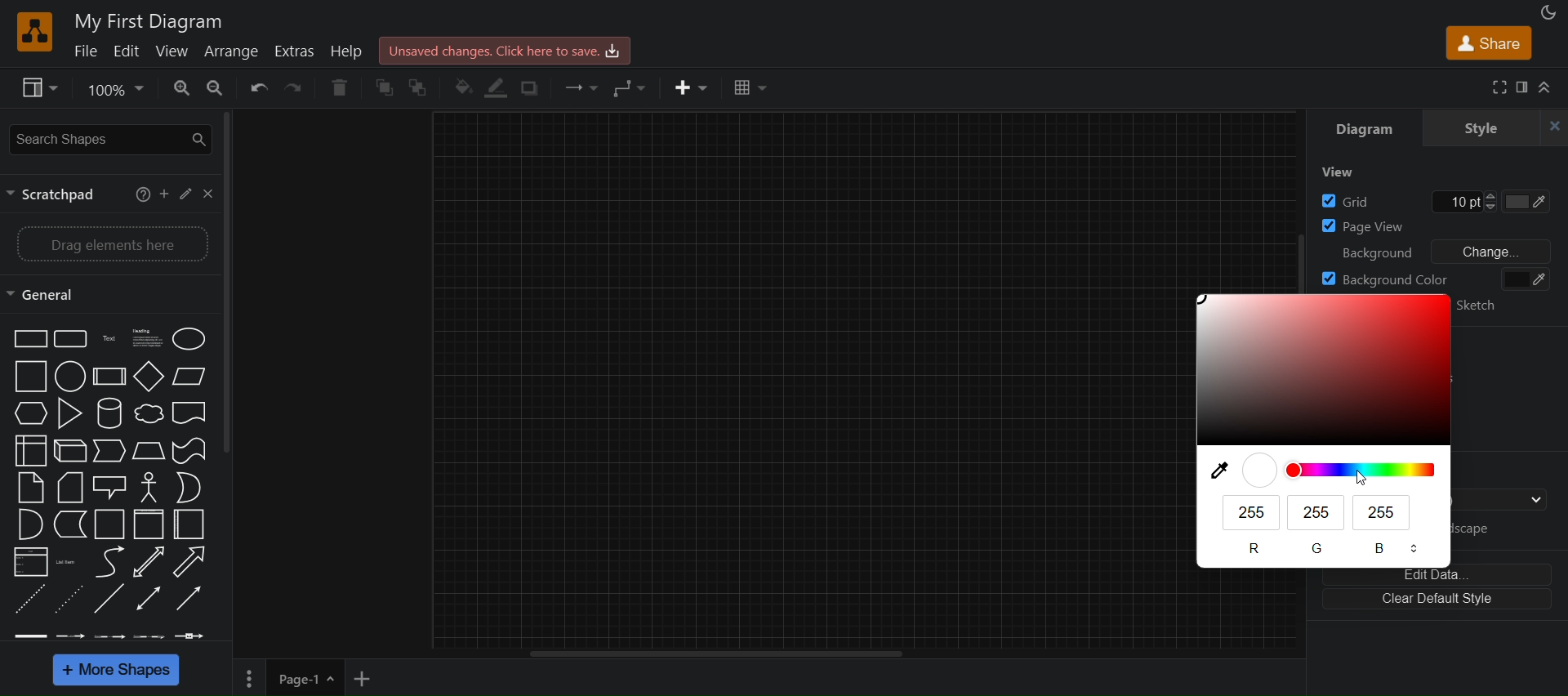  Describe the element at coordinates (142, 196) in the screenshot. I see `help` at that location.